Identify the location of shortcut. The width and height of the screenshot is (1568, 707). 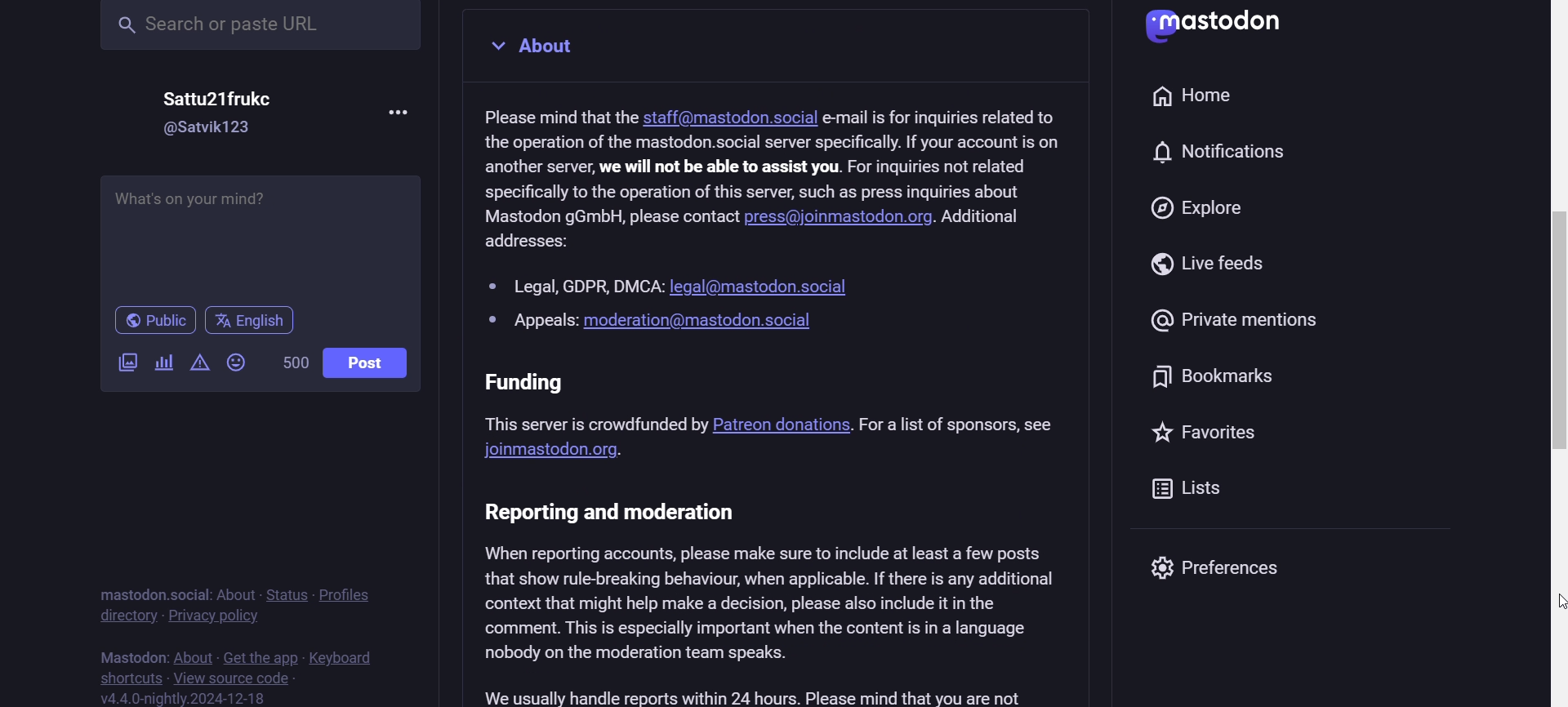
(132, 674).